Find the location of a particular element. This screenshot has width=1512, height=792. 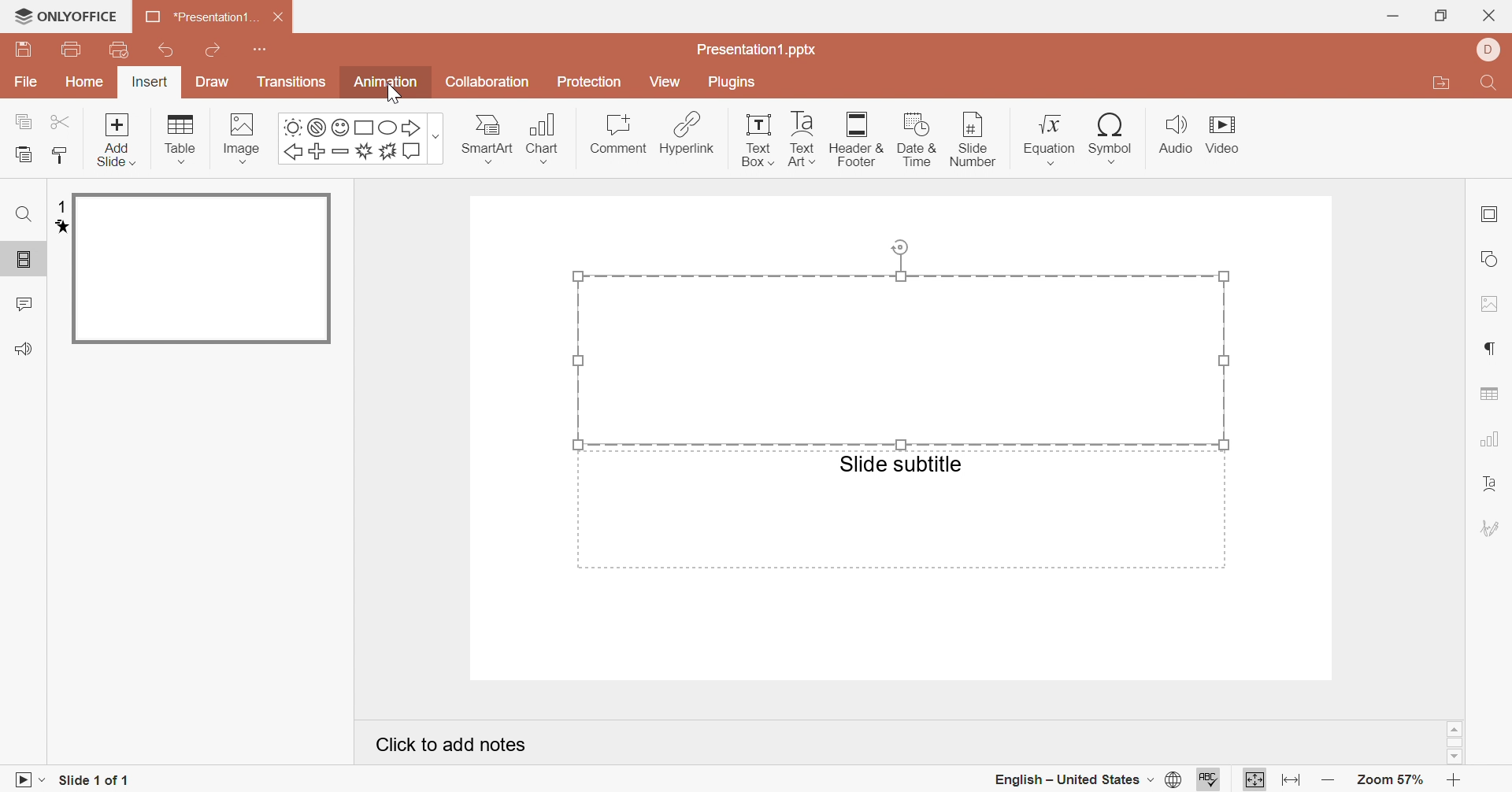

open file location is located at coordinates (1447, 83).